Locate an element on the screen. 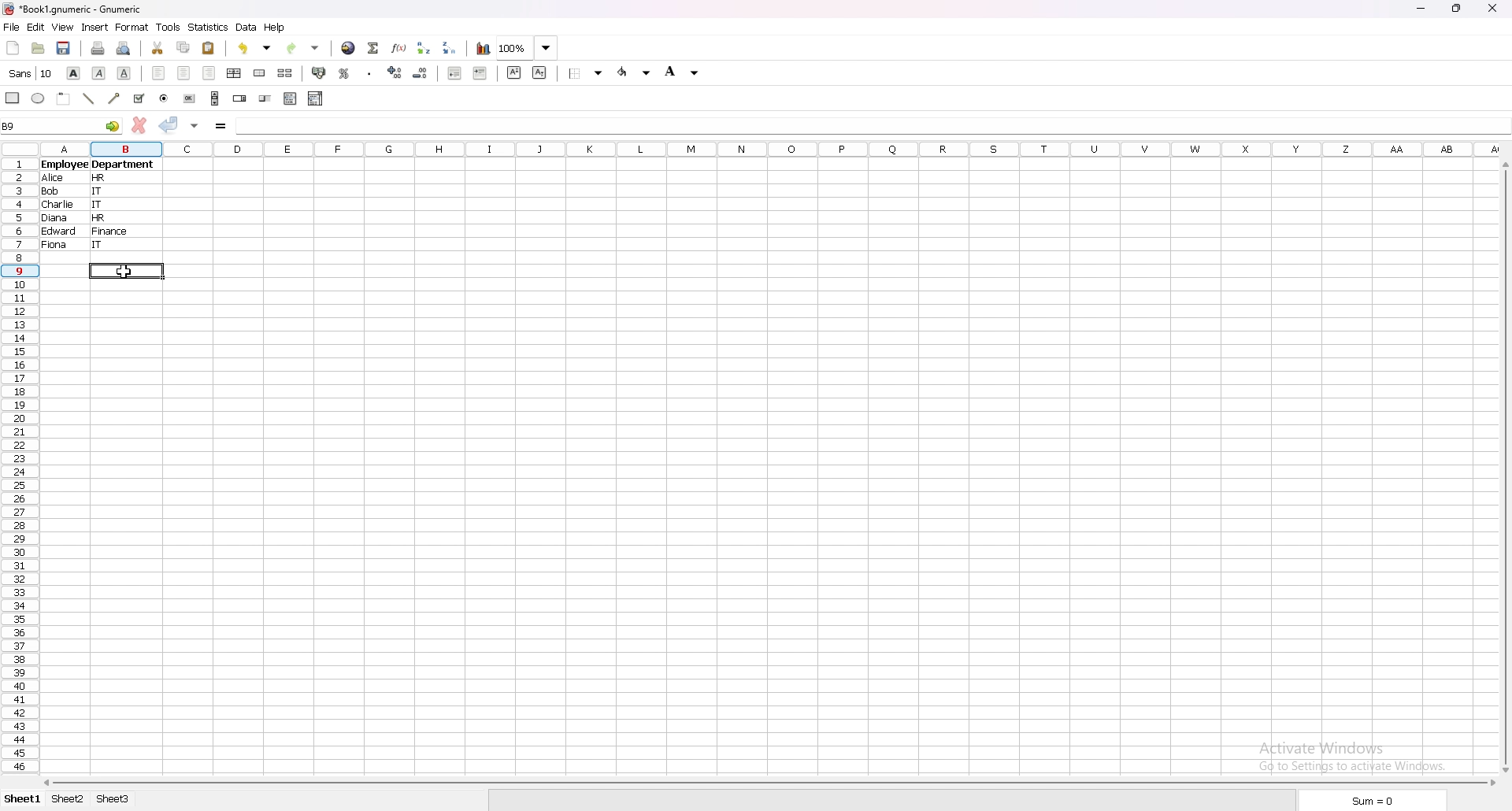 The height and width of the screenshot is (811, 1512). accounting is located at coordinates (320, 72).